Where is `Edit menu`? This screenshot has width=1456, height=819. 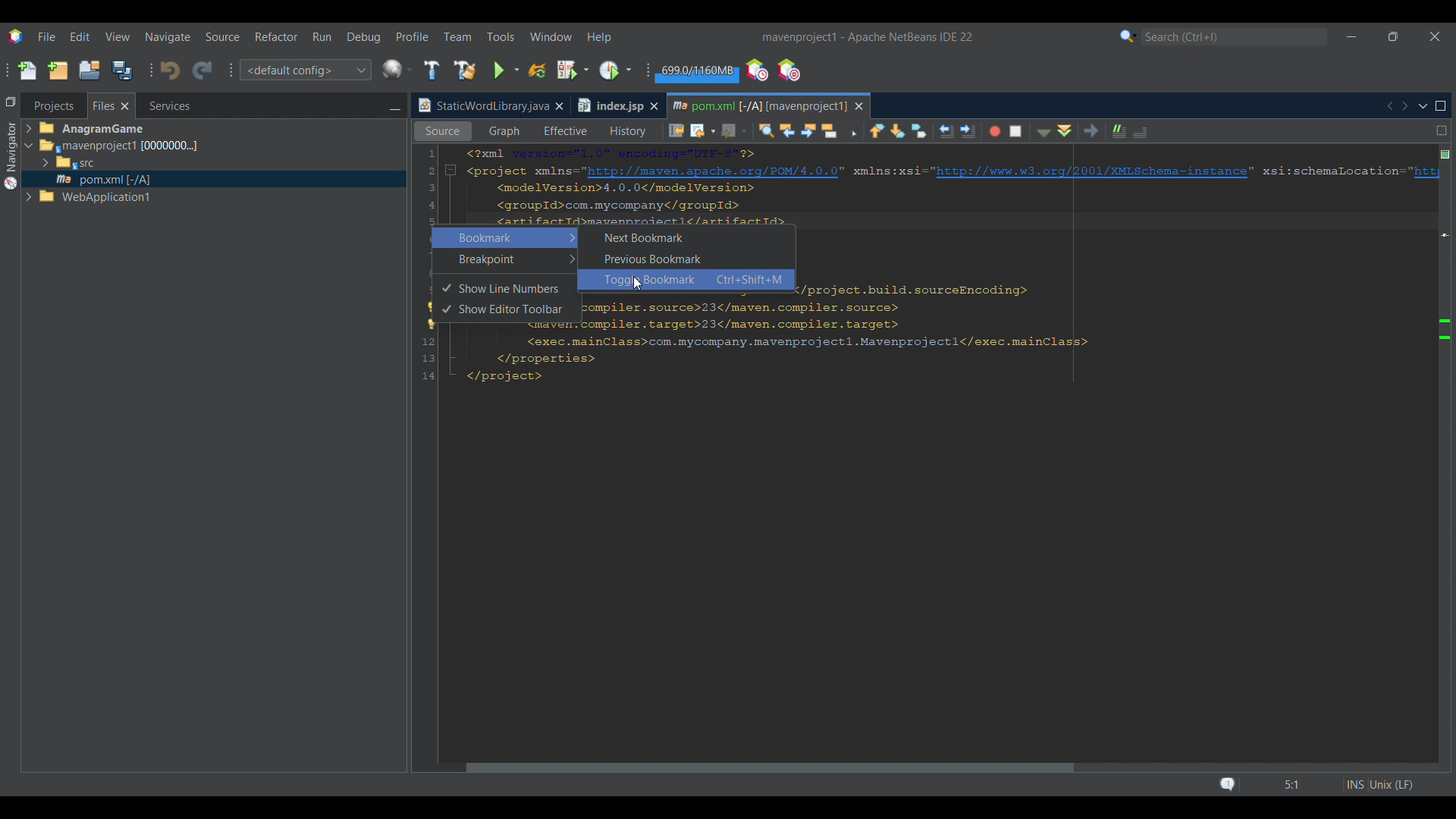
Edit menu is located at coordinates (80, 36).